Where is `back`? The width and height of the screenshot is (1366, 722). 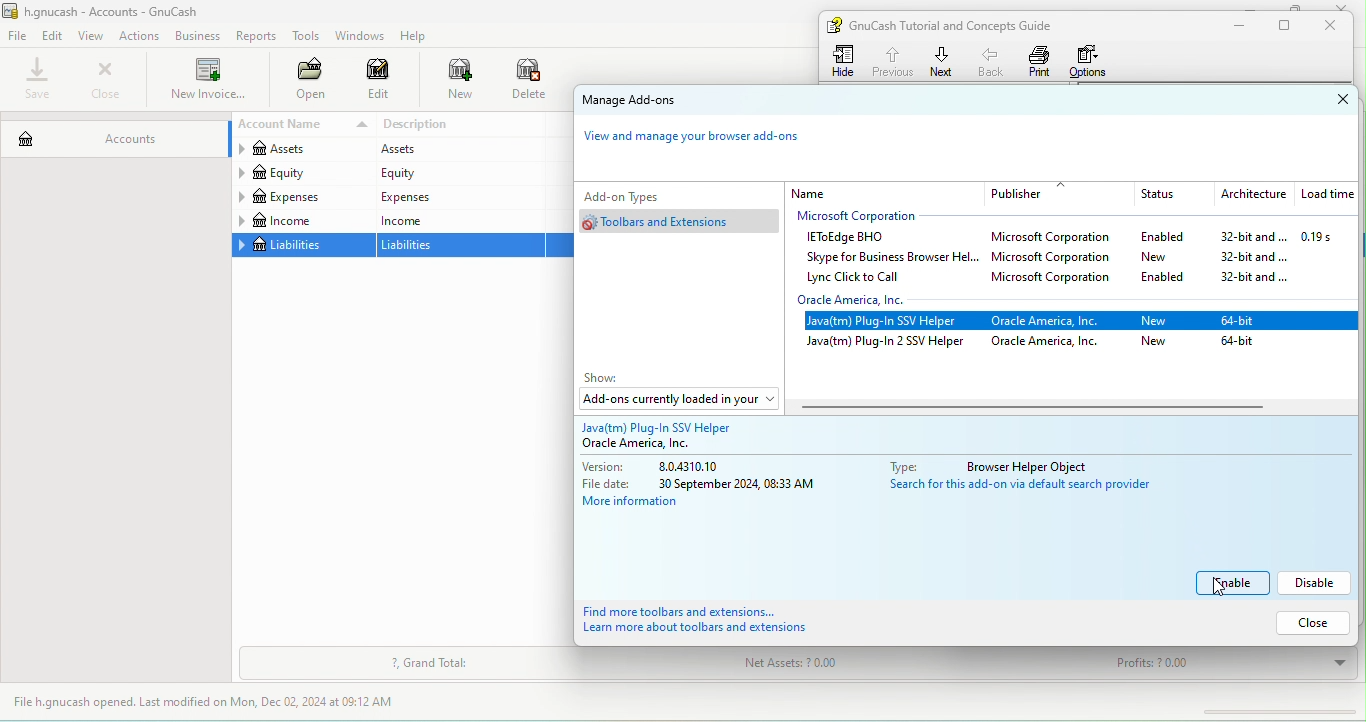
back is located at coordinates (993, 61).